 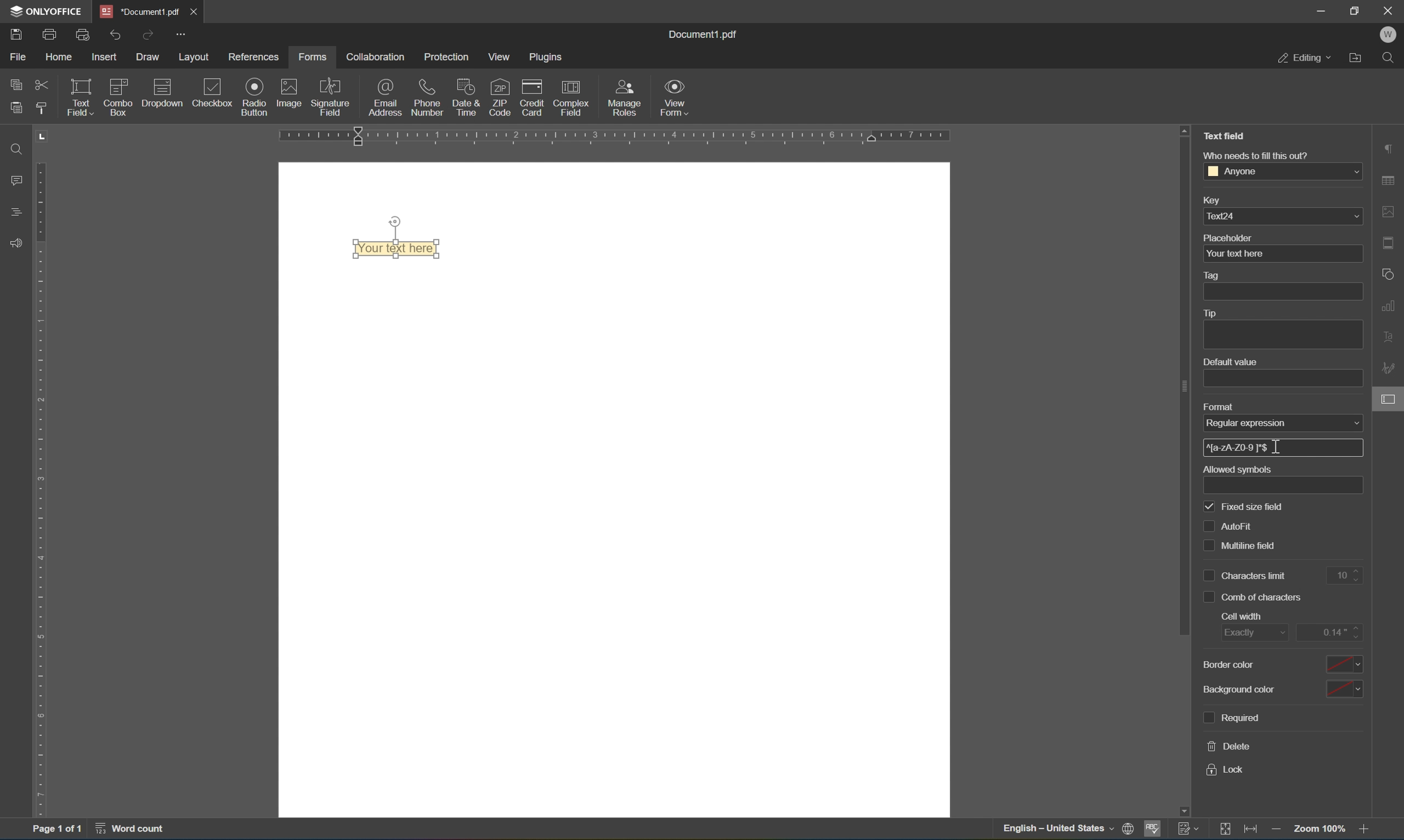 I want to click on rotate, so click(x=395, y=221).